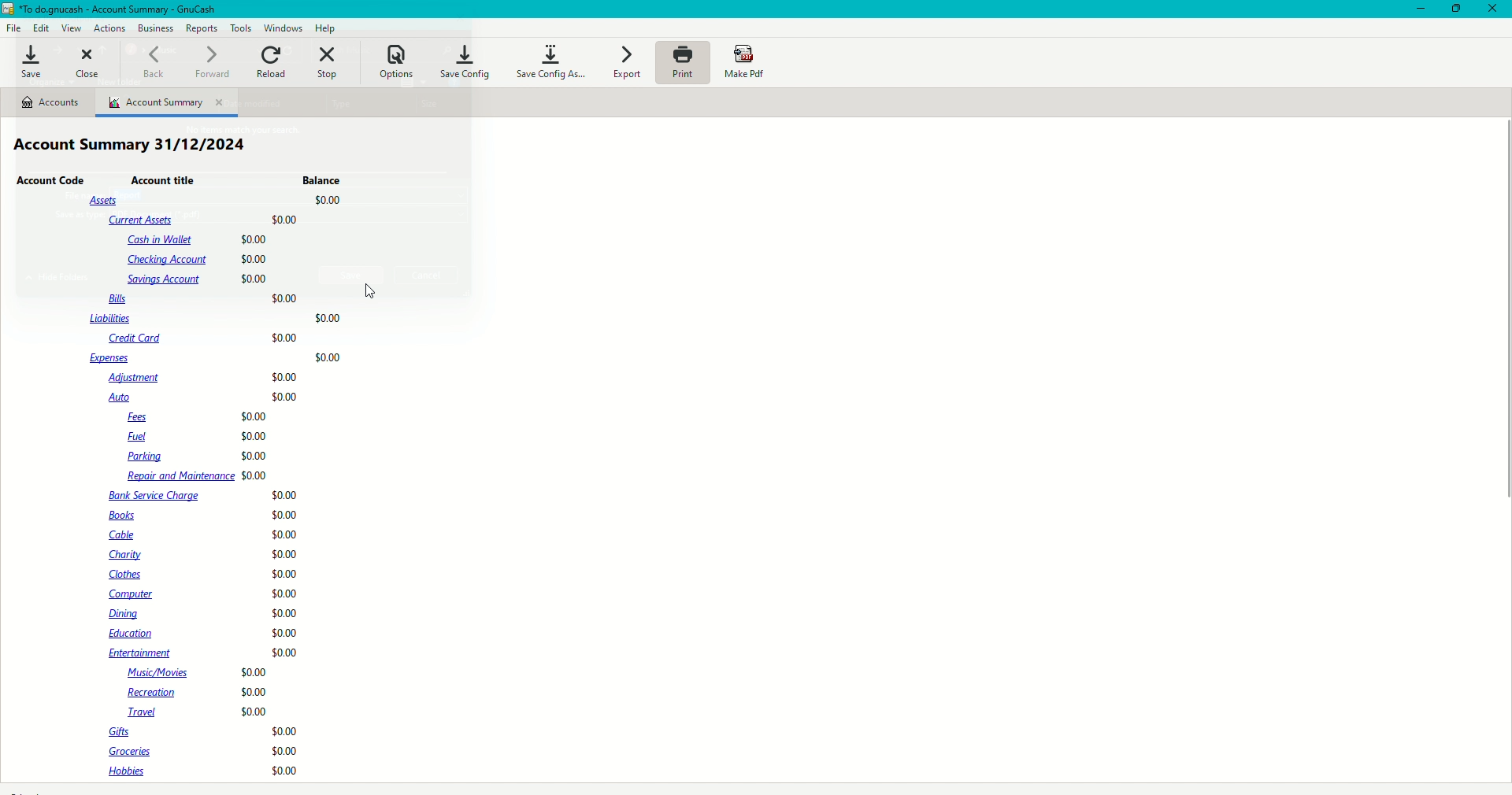  I want to click on Reload, so click(272, 61).